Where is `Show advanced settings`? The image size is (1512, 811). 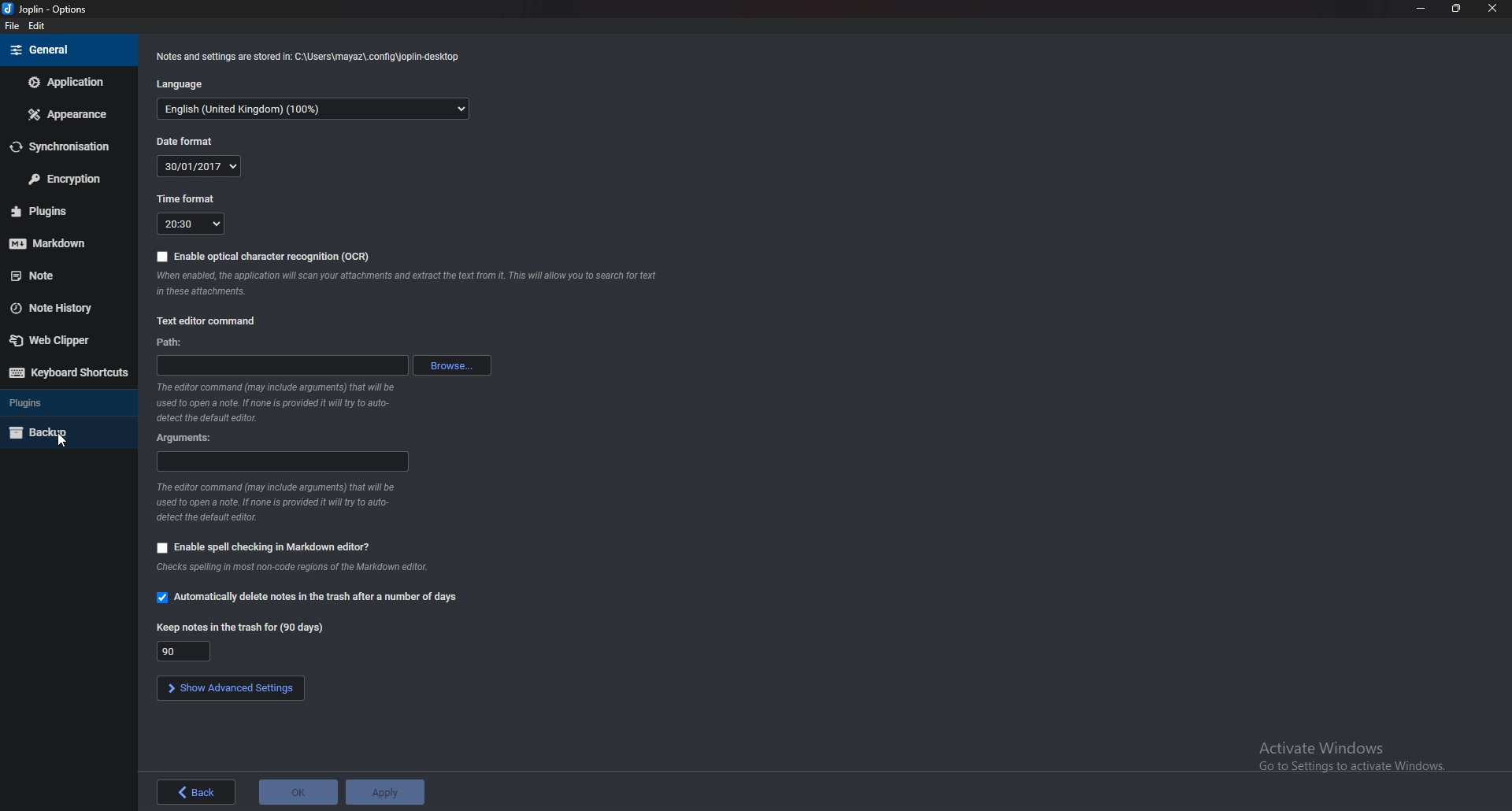 Show advanced settings is located at coordinates (229, 687).